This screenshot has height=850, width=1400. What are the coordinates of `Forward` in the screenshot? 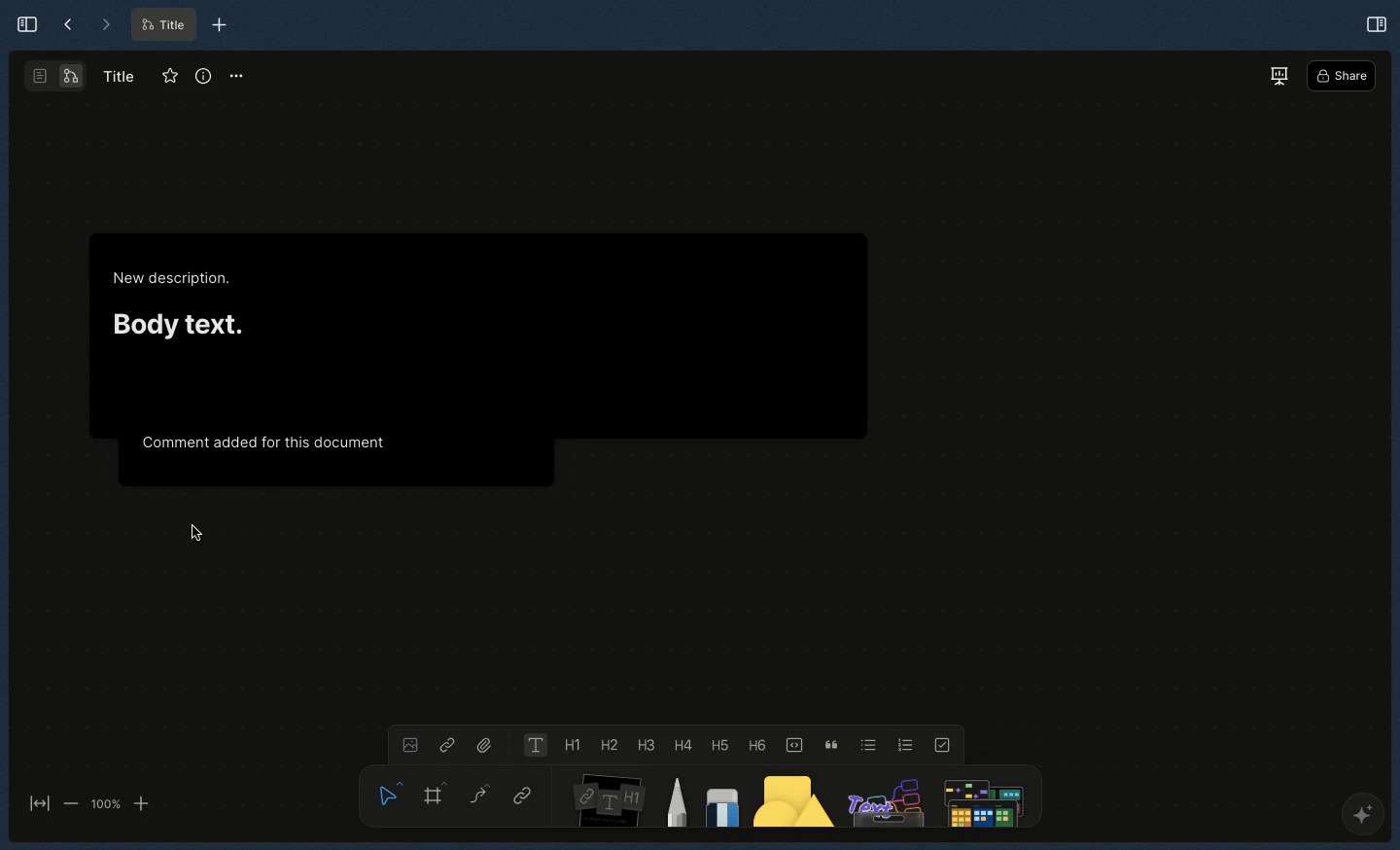 It's located at (105, 25).